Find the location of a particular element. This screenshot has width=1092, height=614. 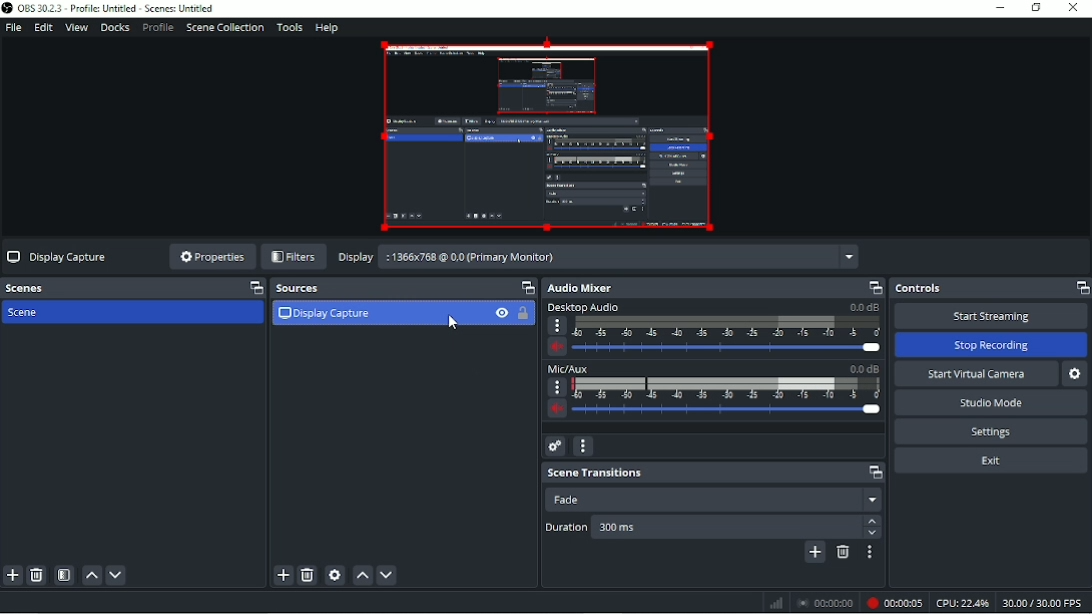

Remove selected source(s) is located at coordinates (308, 575).